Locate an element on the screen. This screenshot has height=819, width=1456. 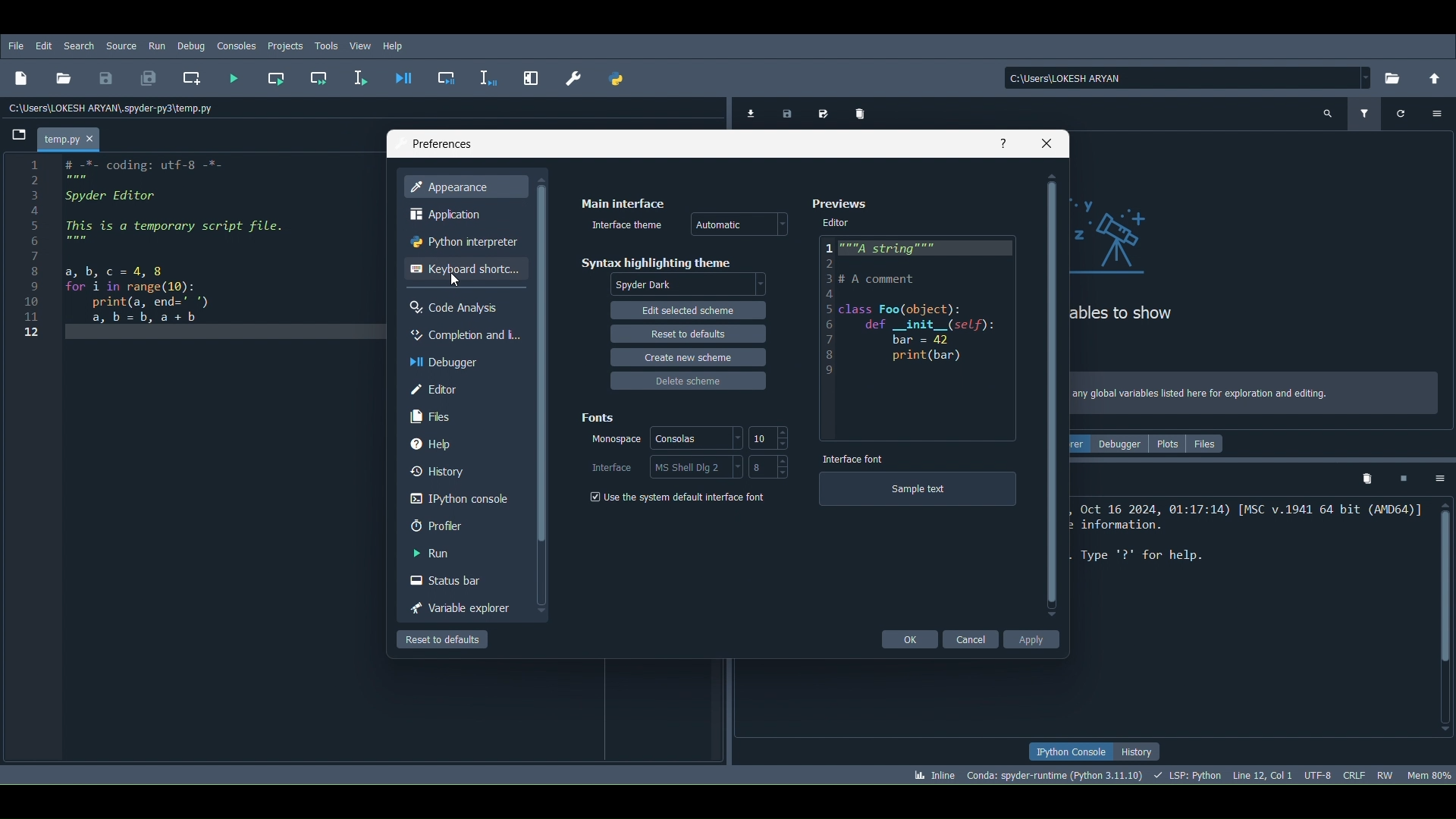
Search is located at coordinates (83, 47).